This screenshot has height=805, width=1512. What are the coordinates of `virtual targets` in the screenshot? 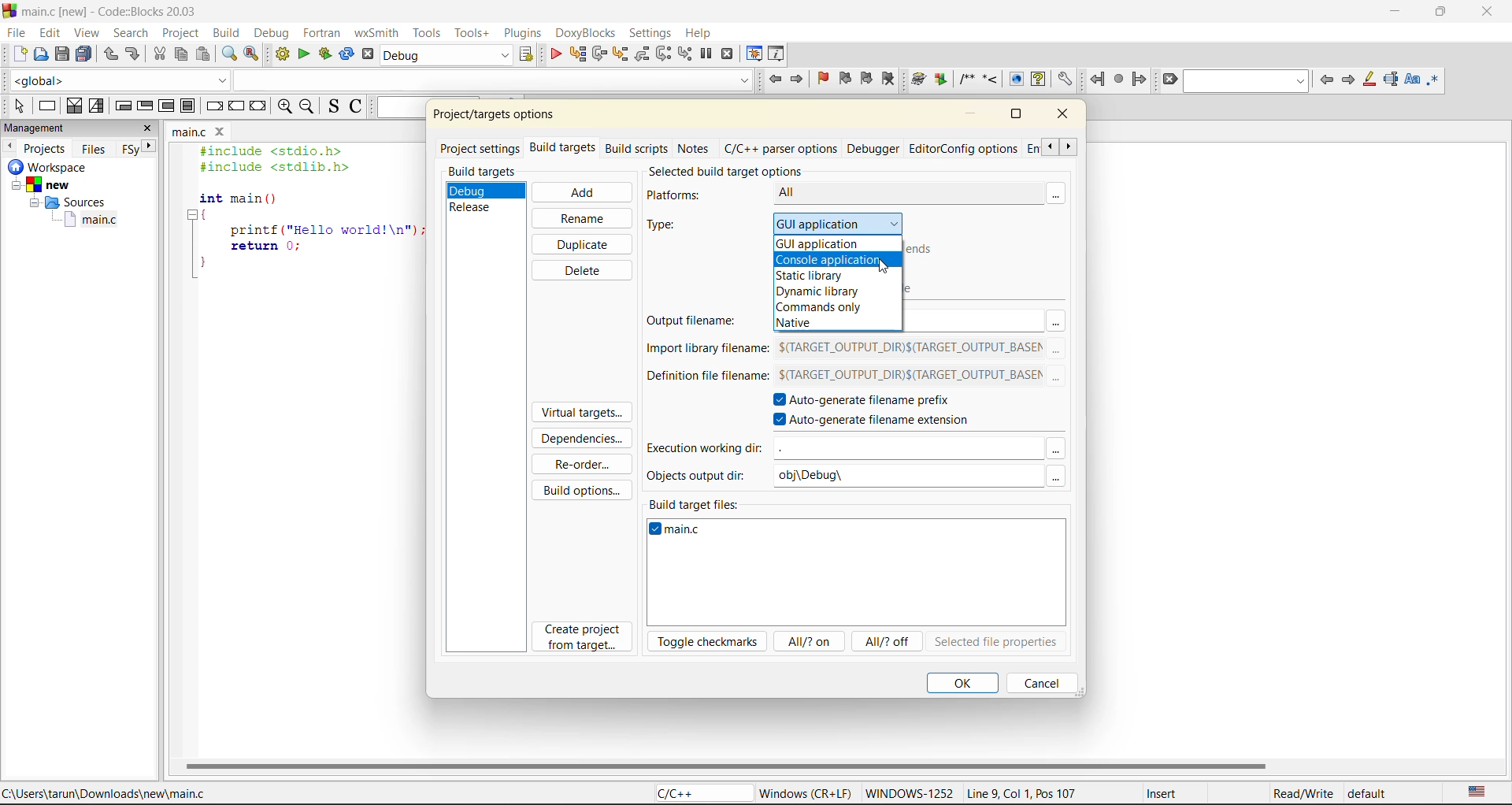 It's located at (580, 414).